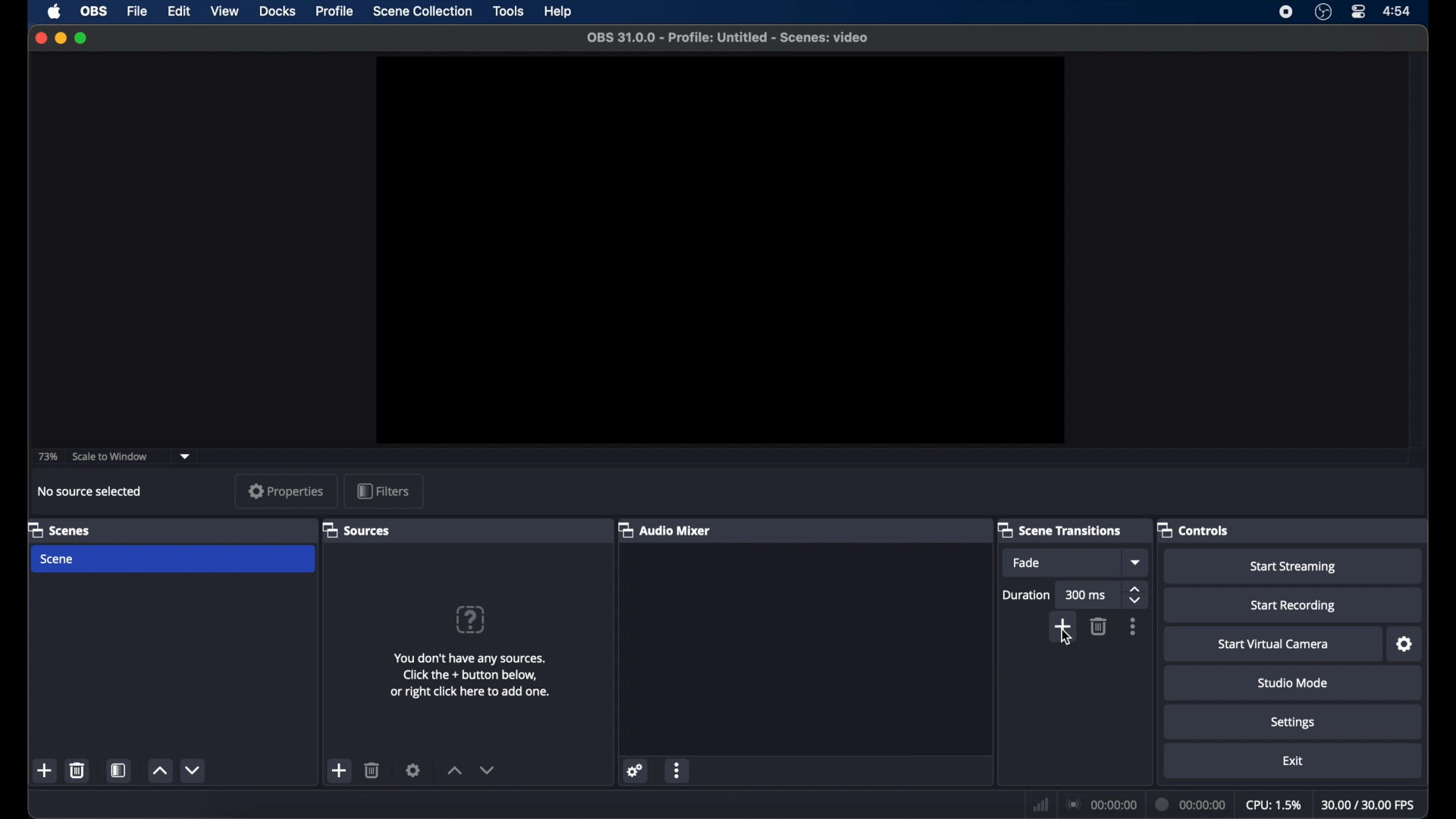  Describe the element at coordinates (422, 11) in the screenshot. I see `scene collection` at that location.